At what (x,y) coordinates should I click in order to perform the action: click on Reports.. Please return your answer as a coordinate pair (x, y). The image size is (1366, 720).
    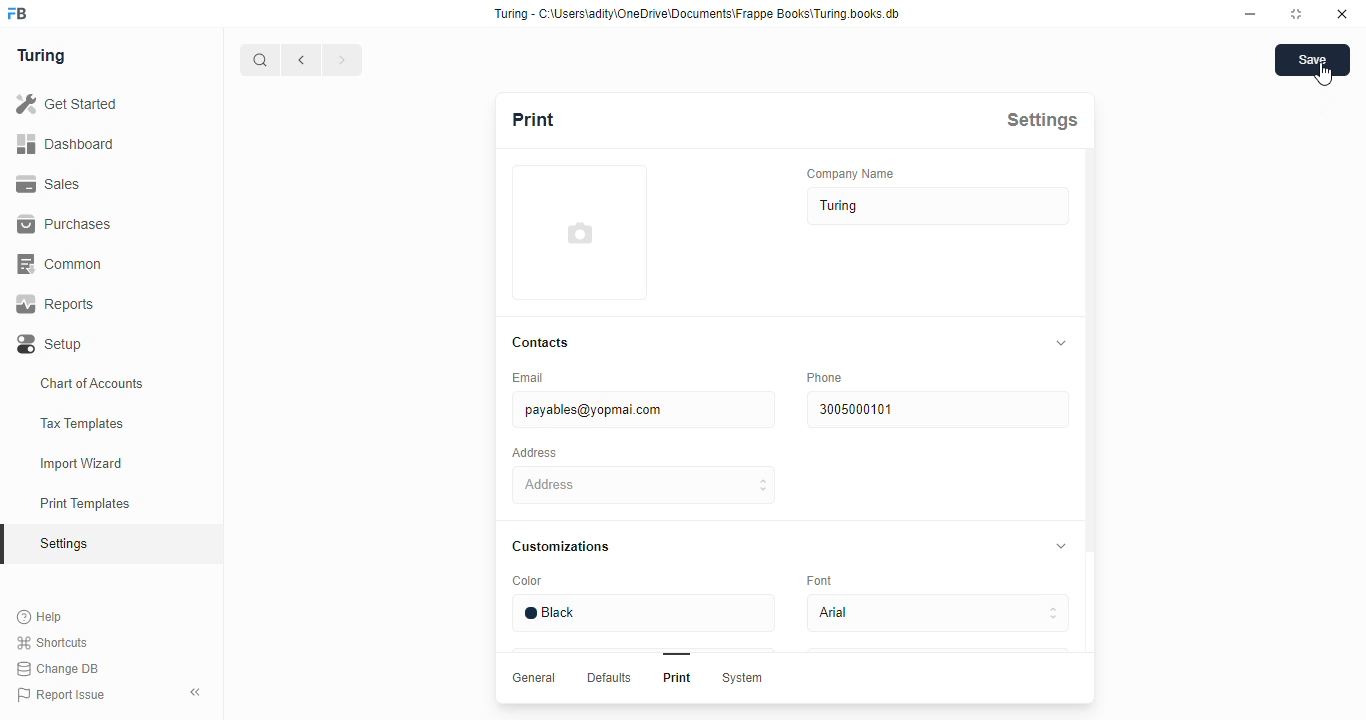
    Looking at the image, I should click on (108, 304).